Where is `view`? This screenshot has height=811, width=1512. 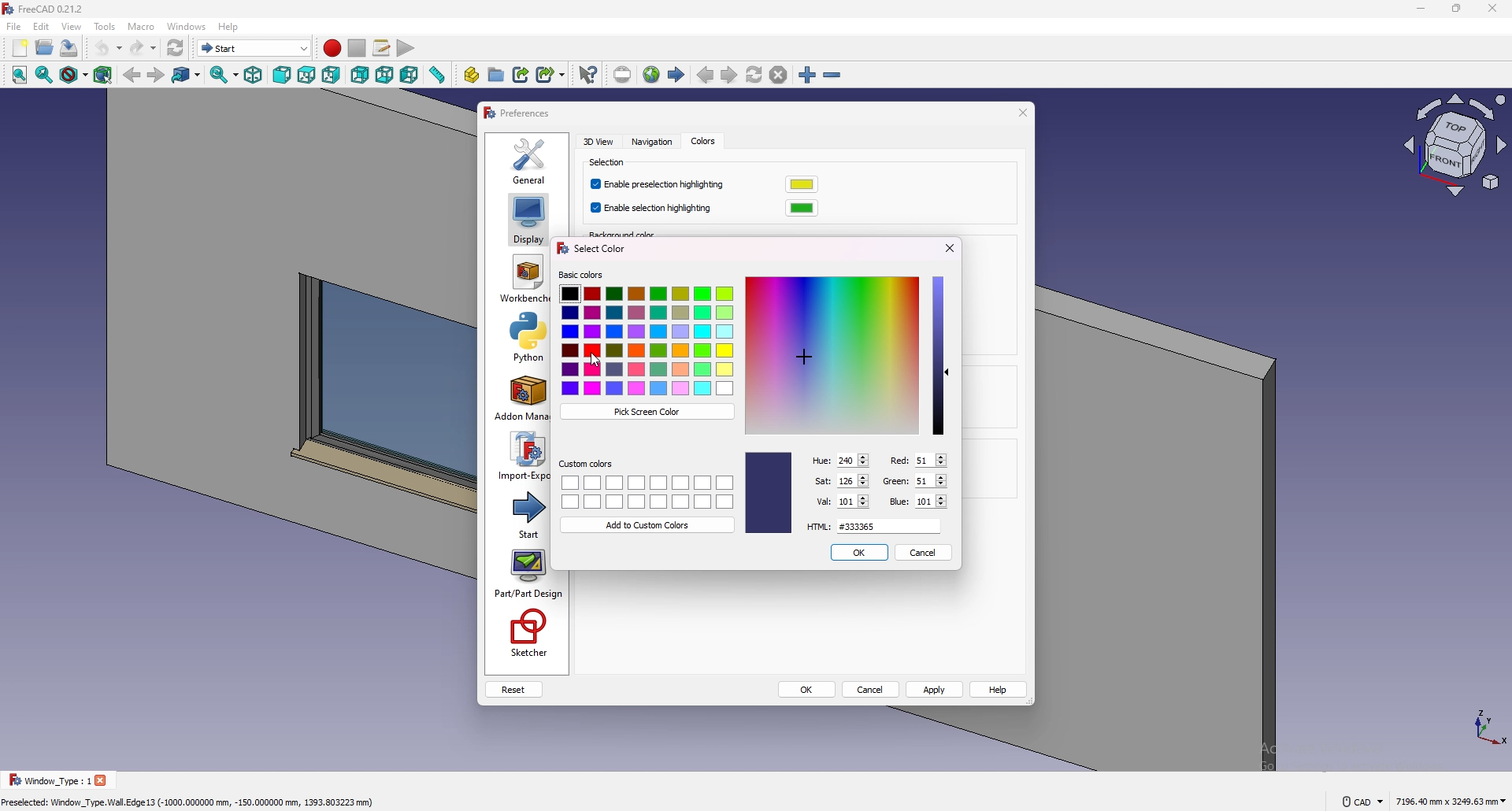 view is located at coordinates (1456, 148).